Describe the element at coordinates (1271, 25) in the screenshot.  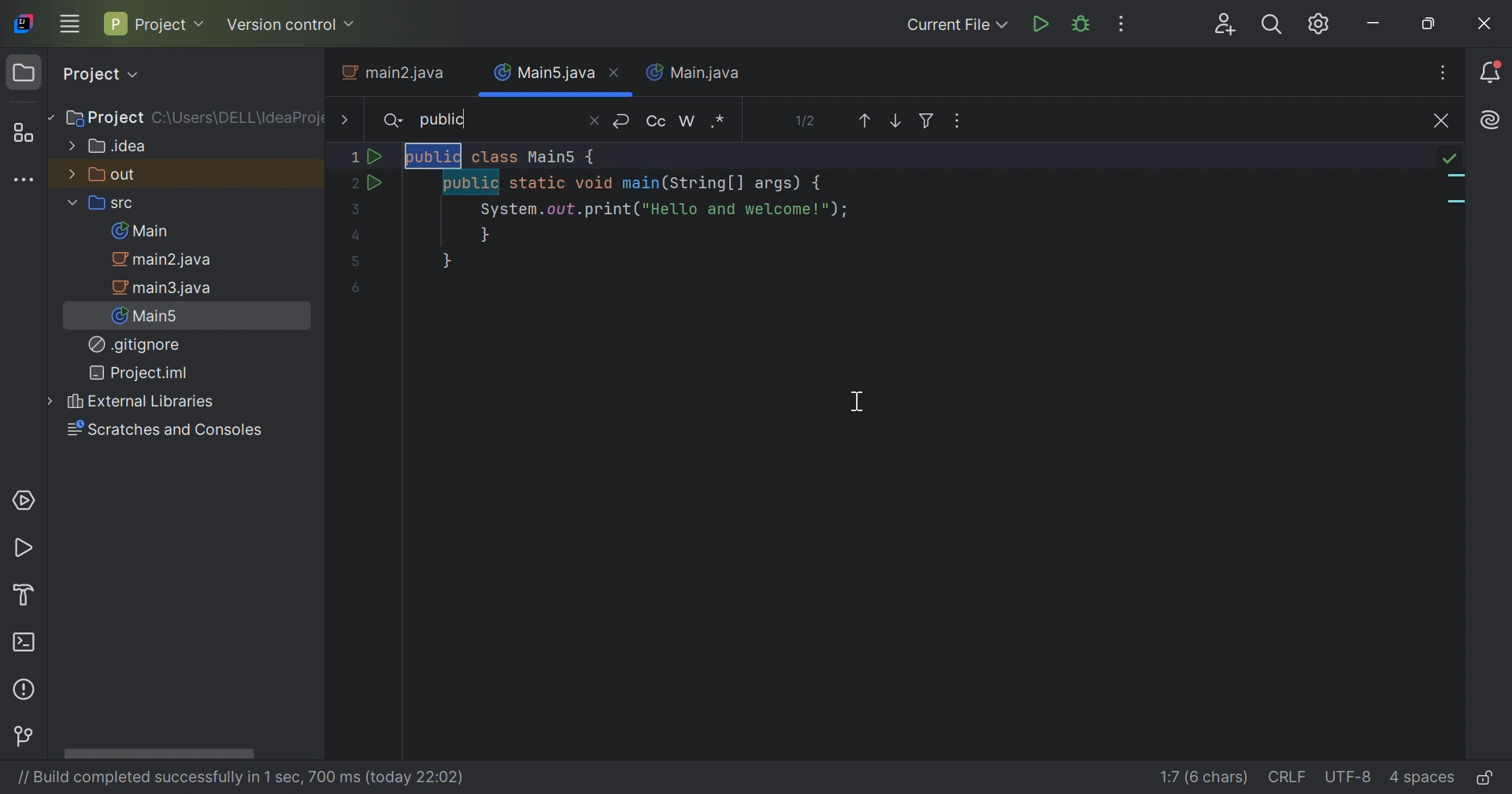
I see `Search Everywhere` at that location.